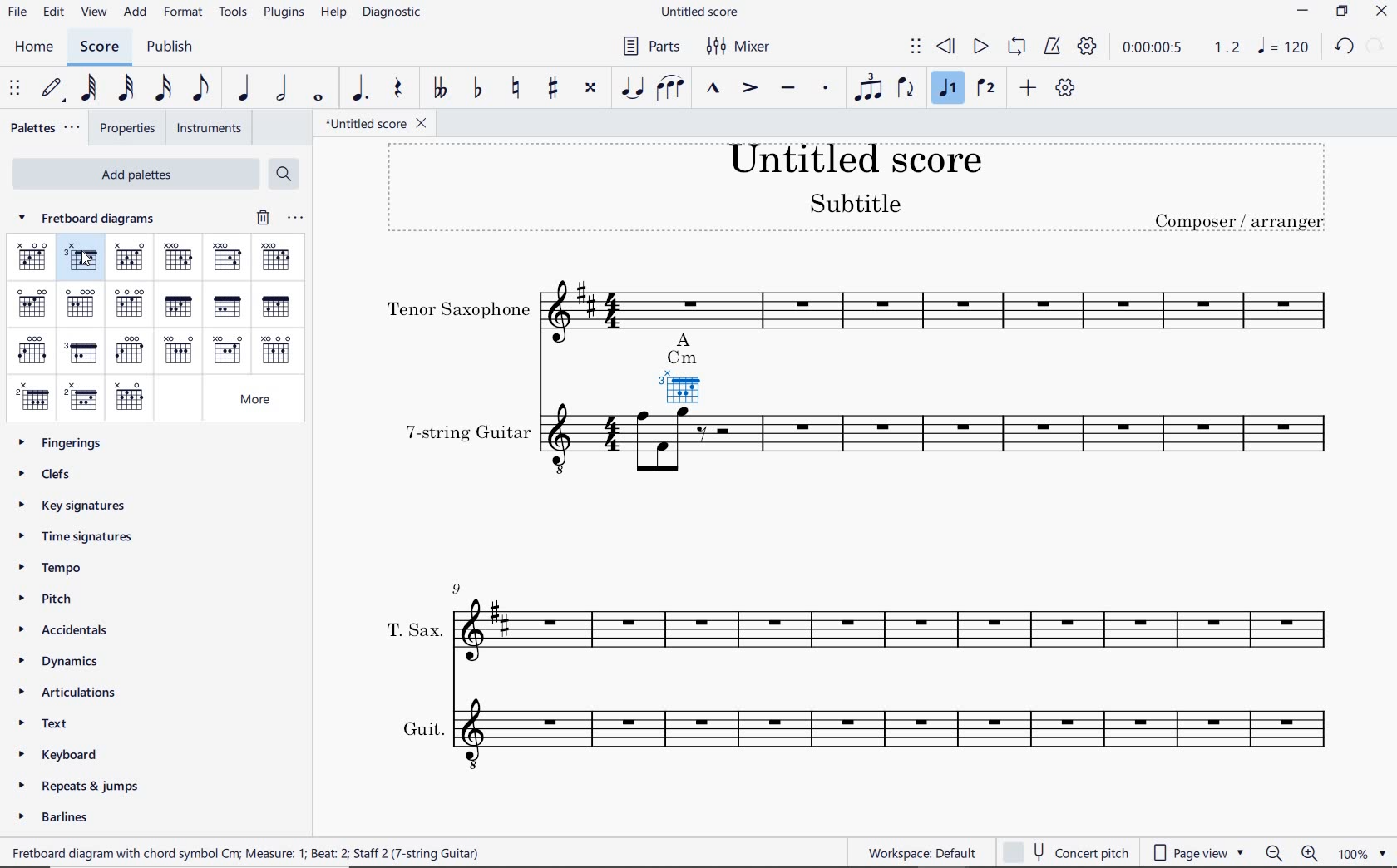 The image size is (1397, 868). Describe the element at coordinates (241, 89) in the screenshot. I see `QUARTER NOTE` at that location.